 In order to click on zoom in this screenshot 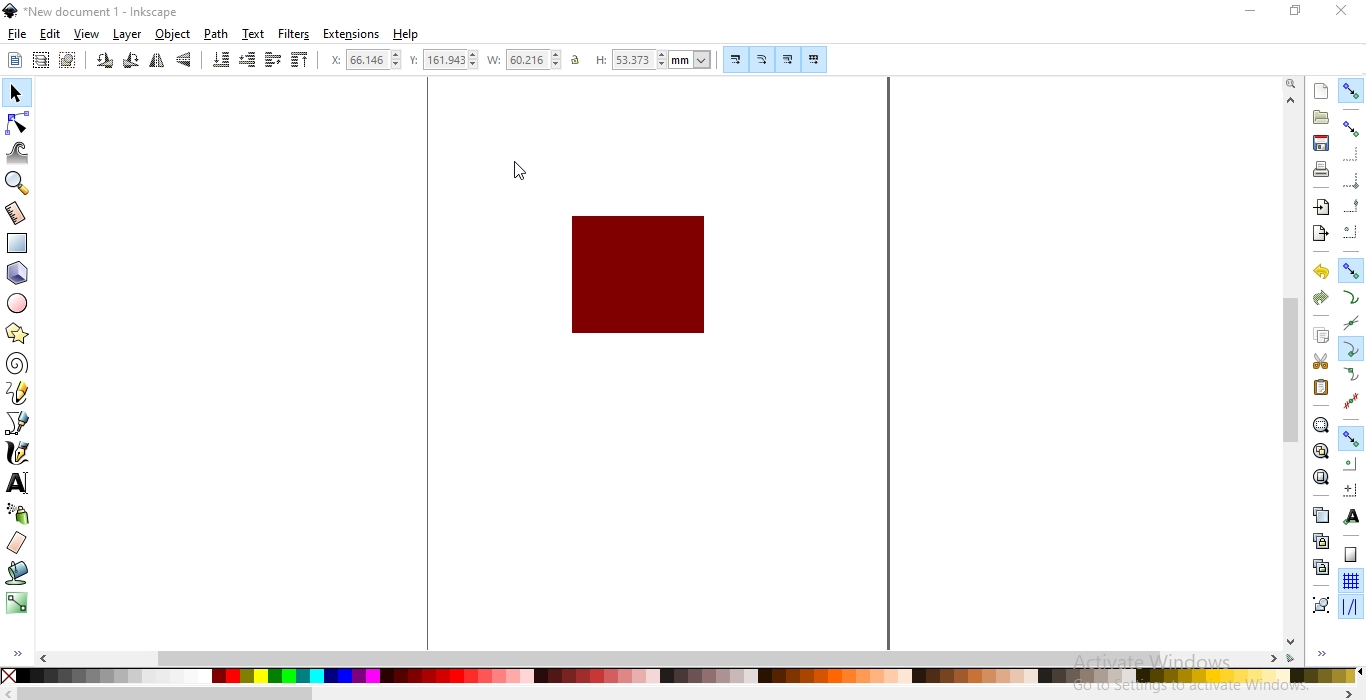, I will do `click(1290, 85)`.